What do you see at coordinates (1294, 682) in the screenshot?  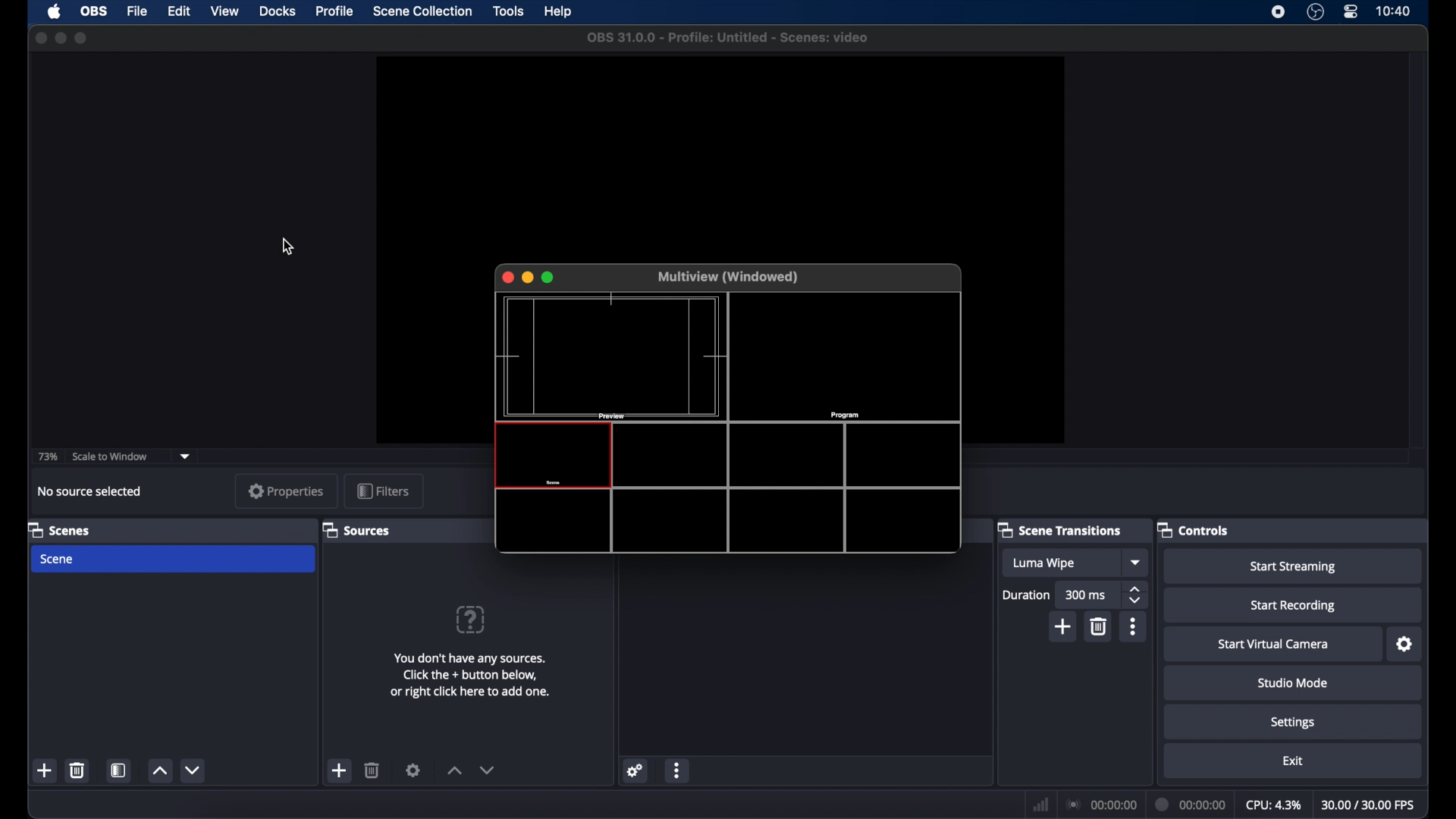 I see `studiomode` at bounding box center [1294, 682].